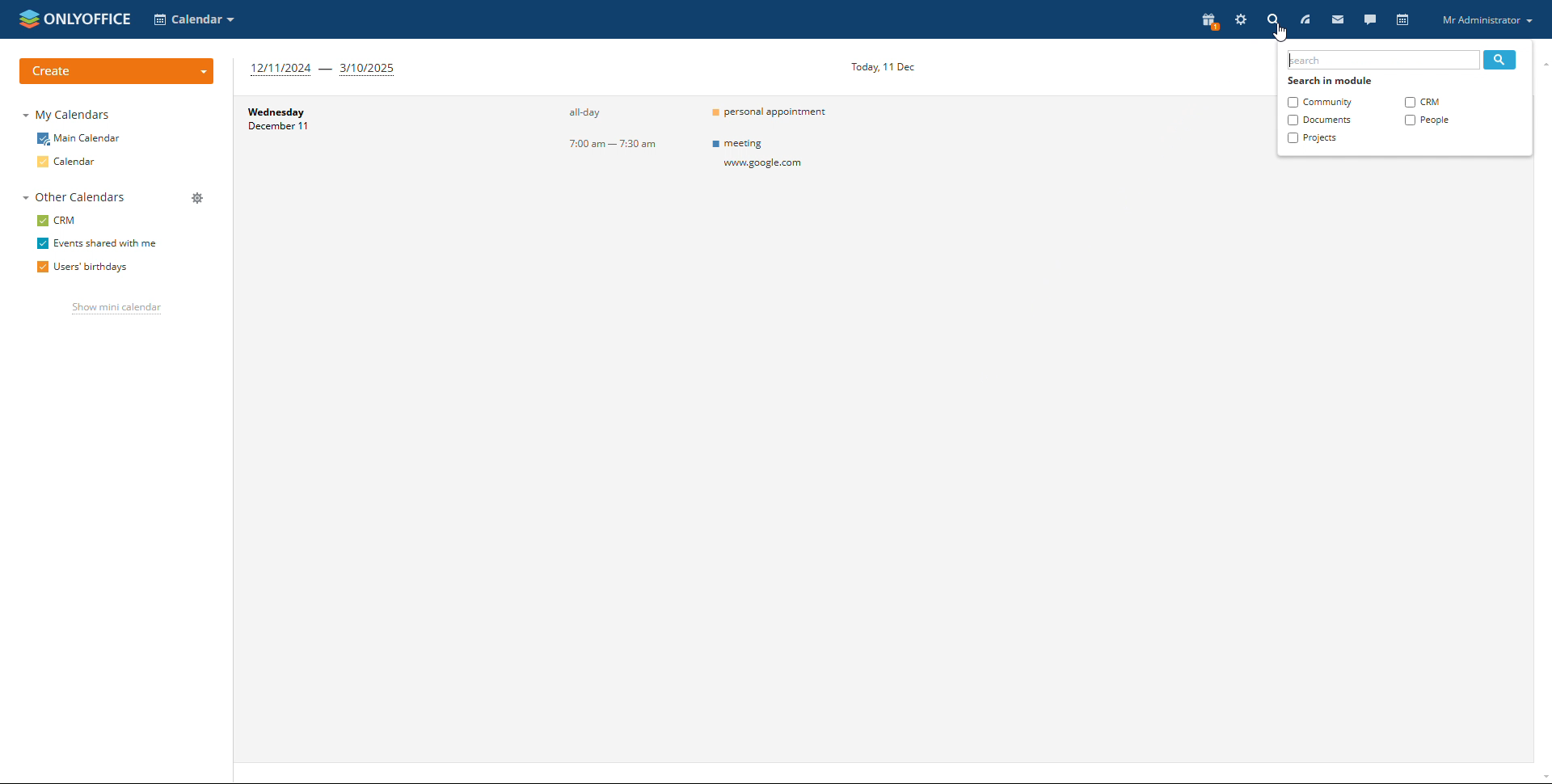 The image size is (1552, 784). Describe the element at coordinates (1305, 20) in the screenshot. I see `feed` at that location.